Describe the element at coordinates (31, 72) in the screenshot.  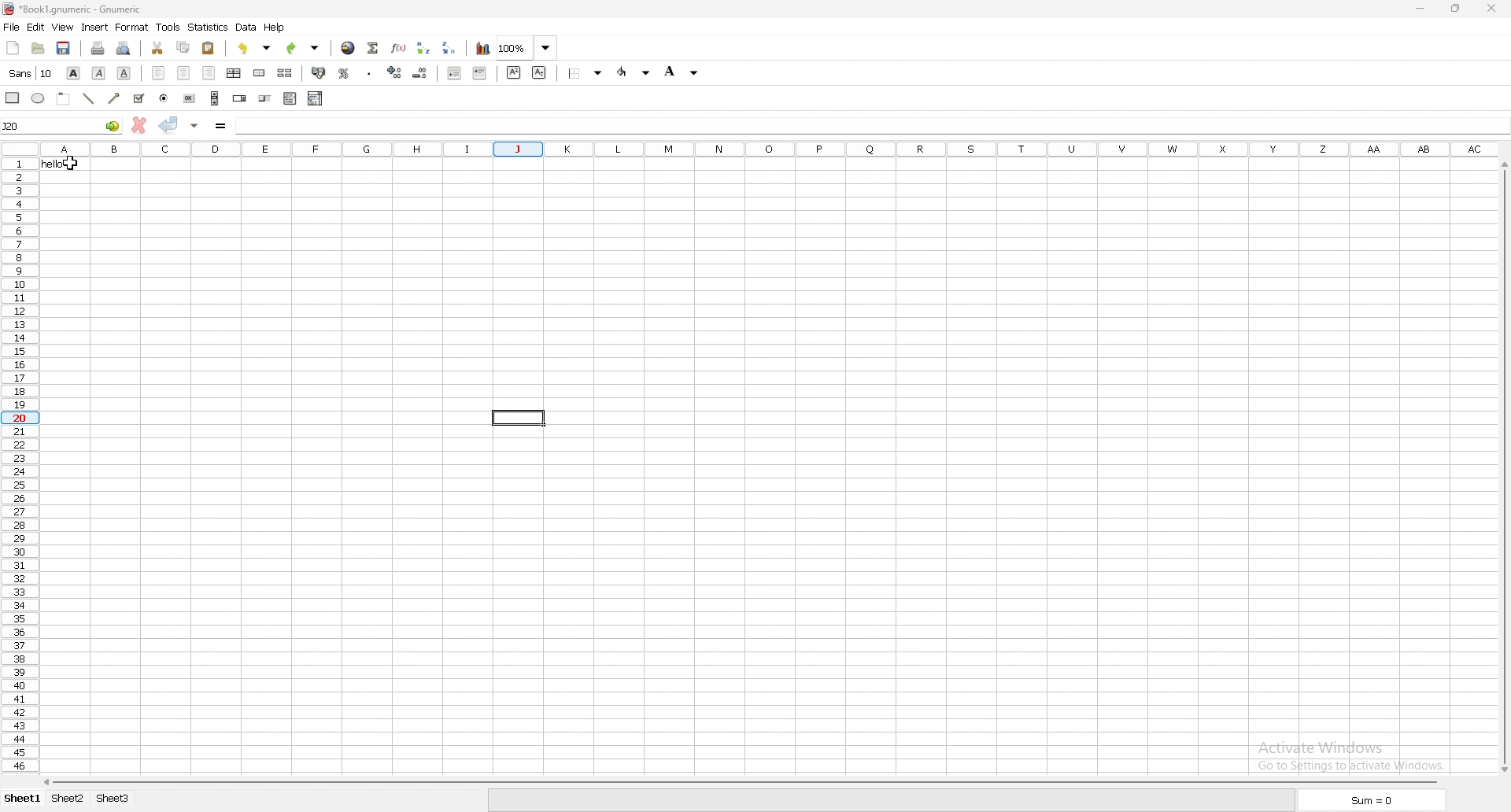
I see `font` at that location.